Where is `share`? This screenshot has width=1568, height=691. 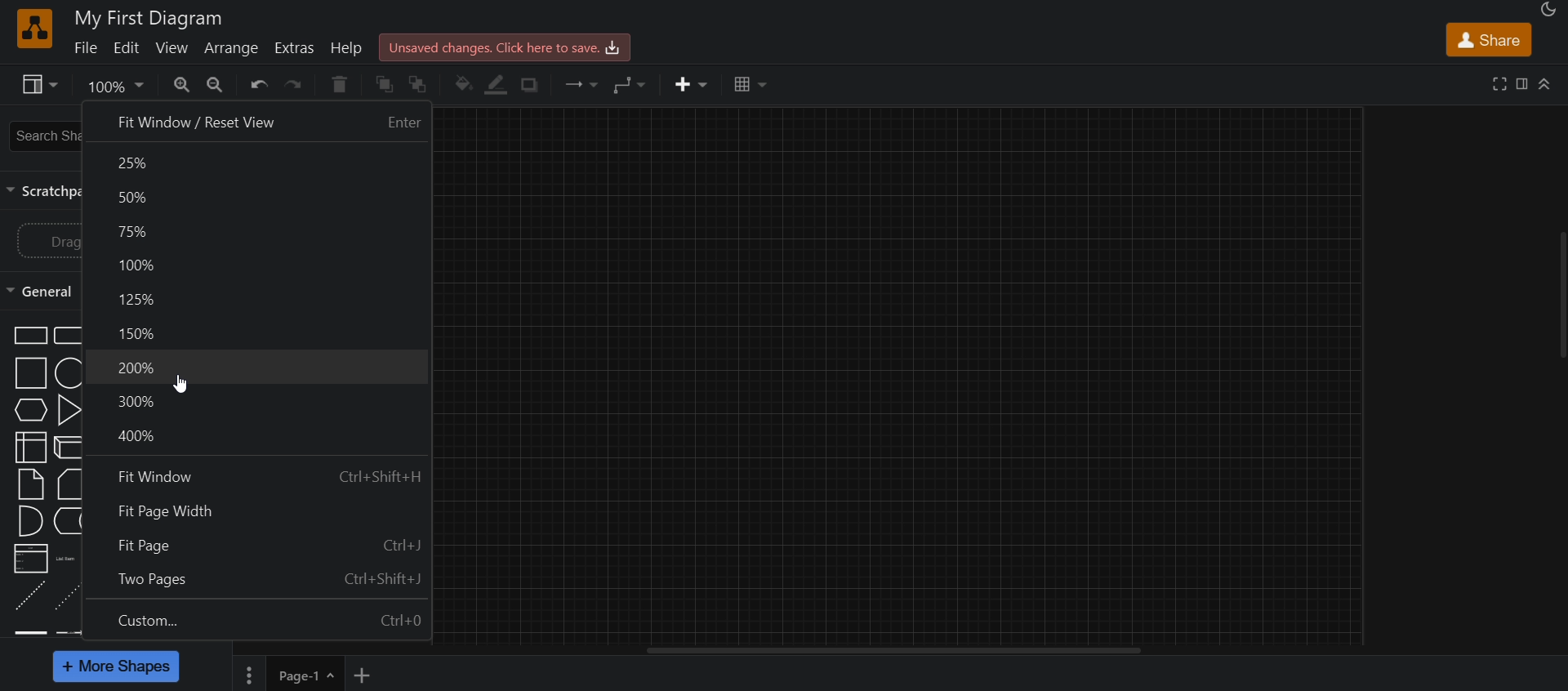 share is located at coordinates (1487, 39).